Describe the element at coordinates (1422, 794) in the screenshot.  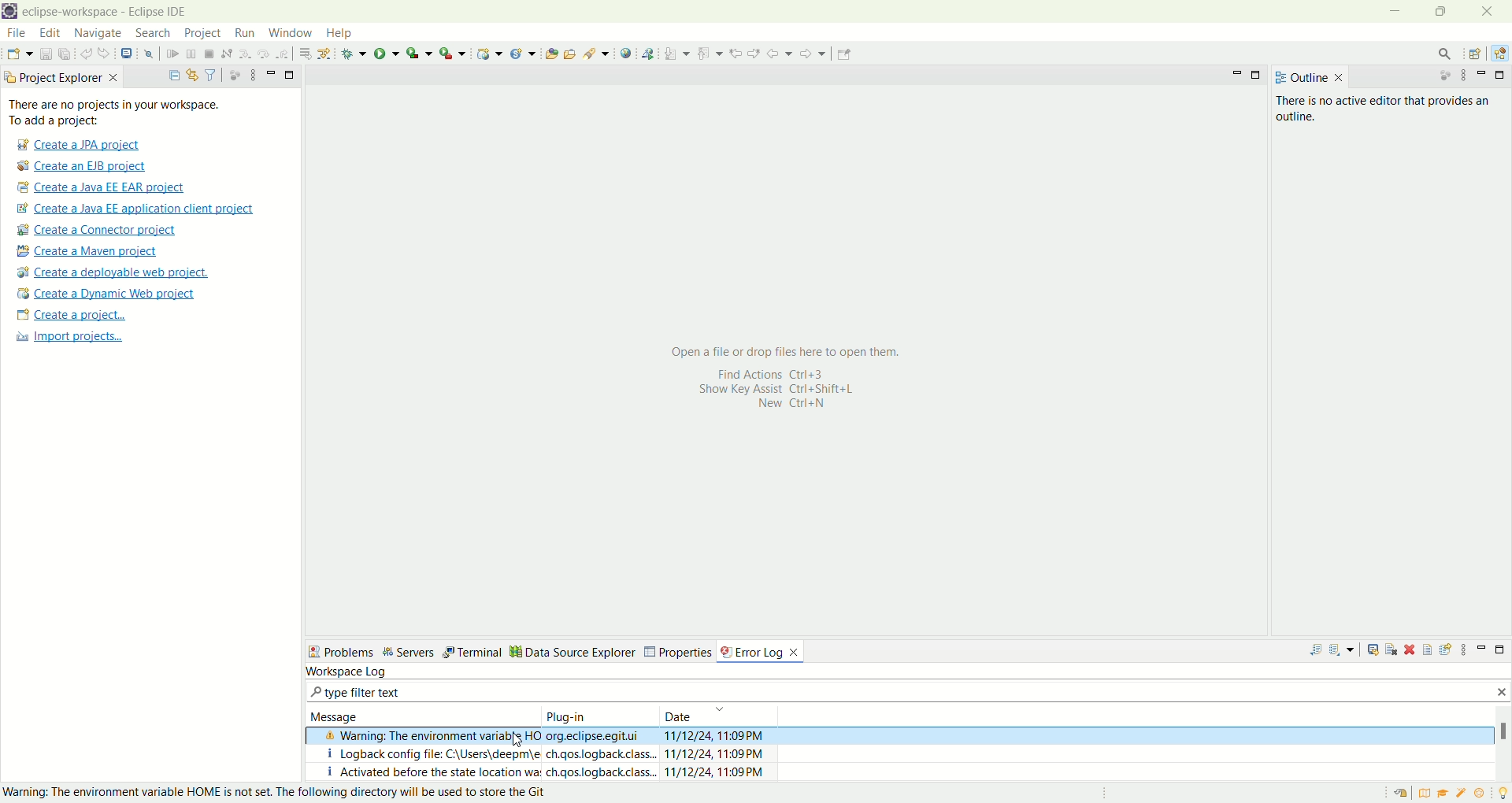
I see `overview` at that location.